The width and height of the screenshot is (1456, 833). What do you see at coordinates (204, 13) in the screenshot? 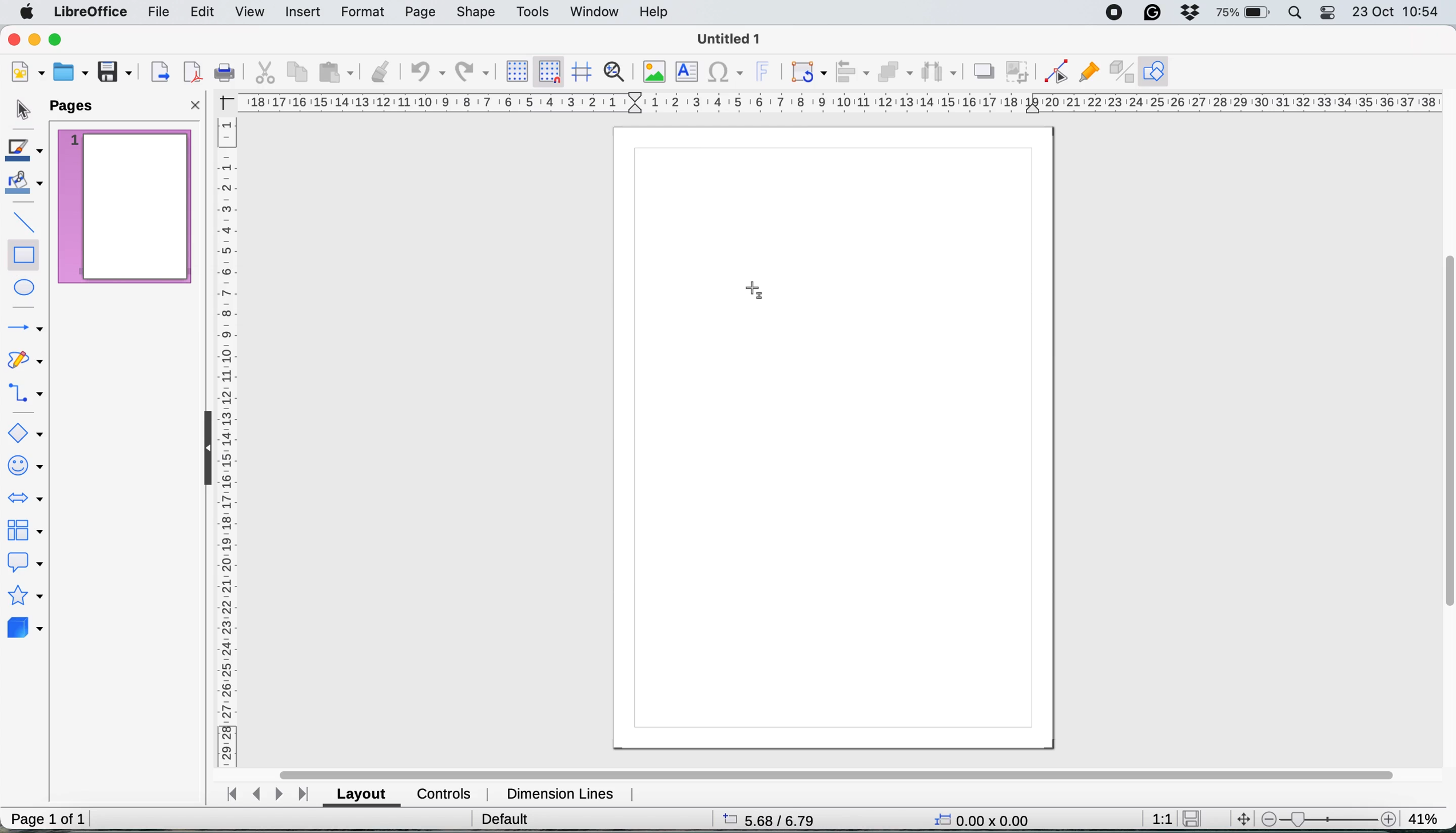
I see `edit` at bounding box center [204, 13].